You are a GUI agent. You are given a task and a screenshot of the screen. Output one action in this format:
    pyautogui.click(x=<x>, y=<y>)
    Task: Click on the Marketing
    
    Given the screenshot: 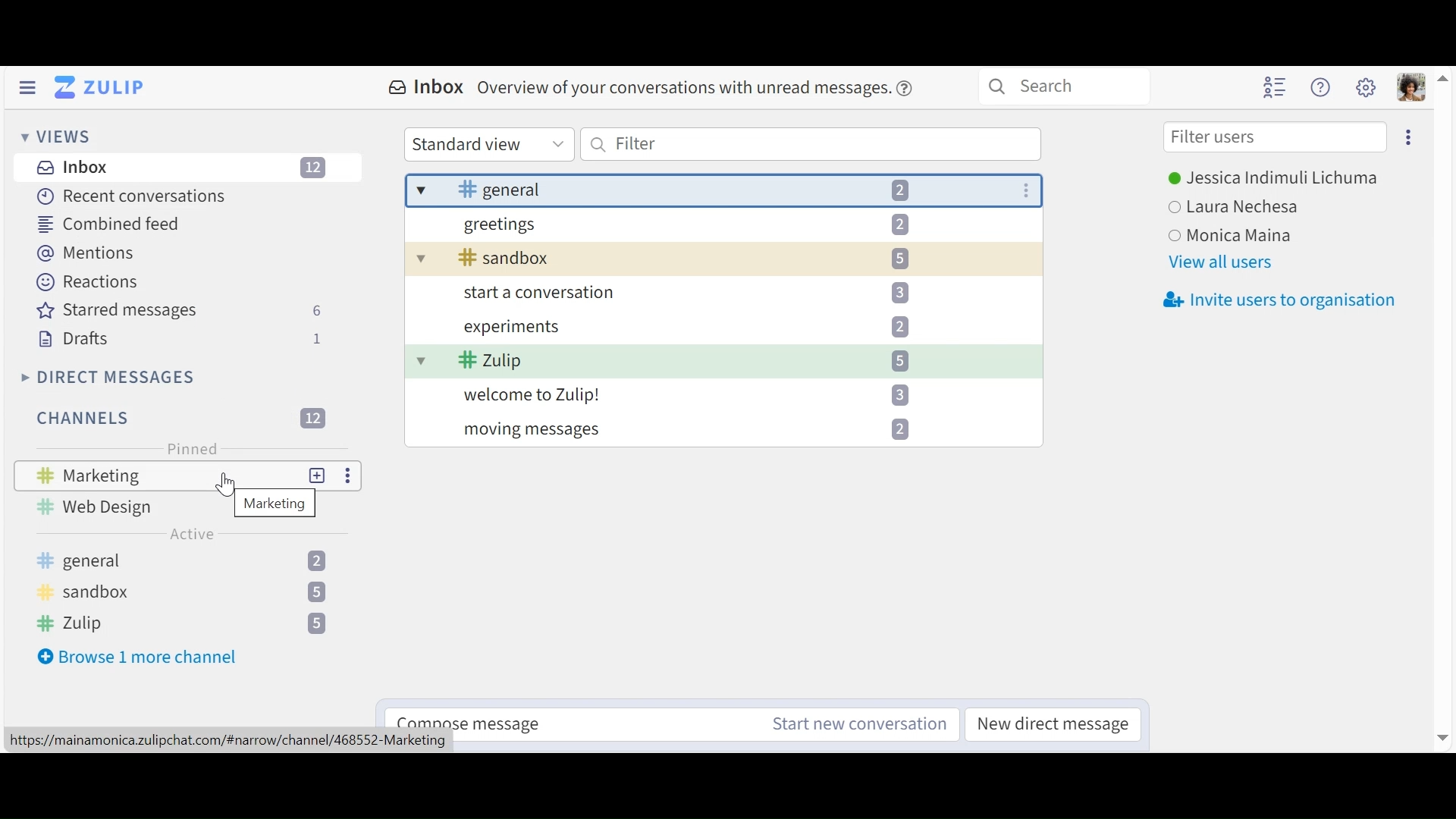 What is the action you would take?
    pyautogui.click(x=96, y=475)
    